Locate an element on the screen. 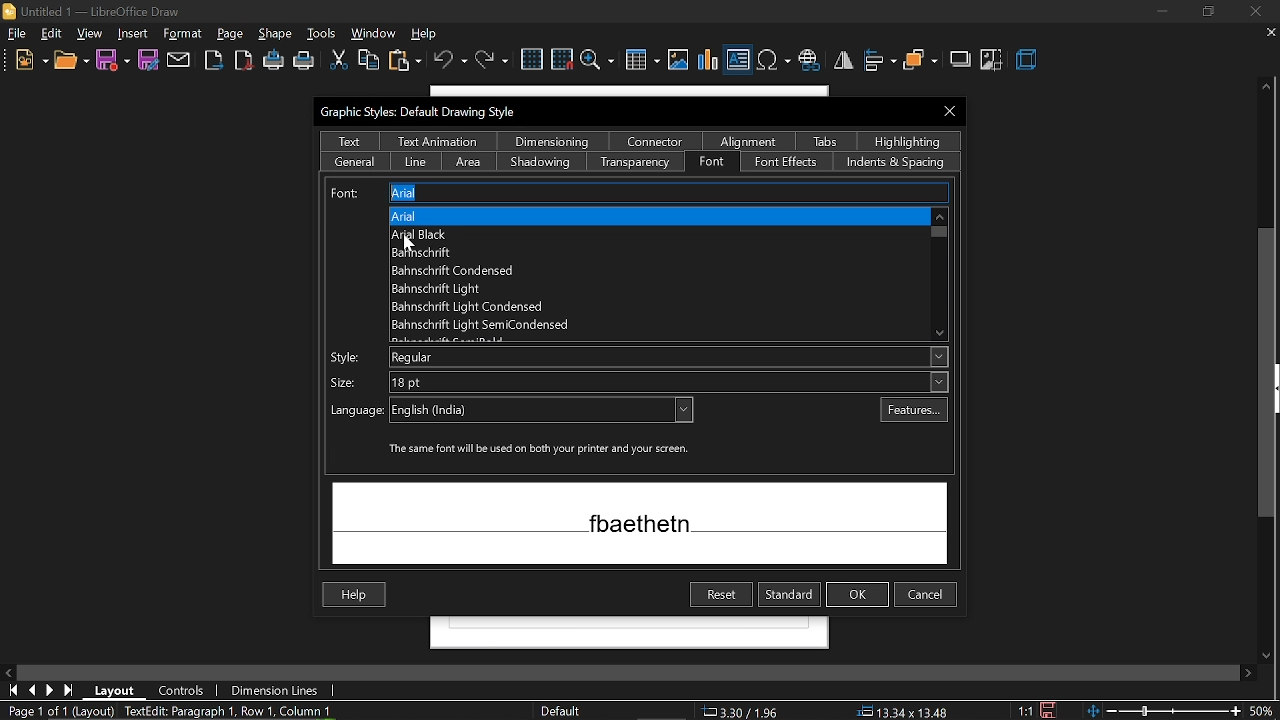  move right is located at coordinates (1250, 673).